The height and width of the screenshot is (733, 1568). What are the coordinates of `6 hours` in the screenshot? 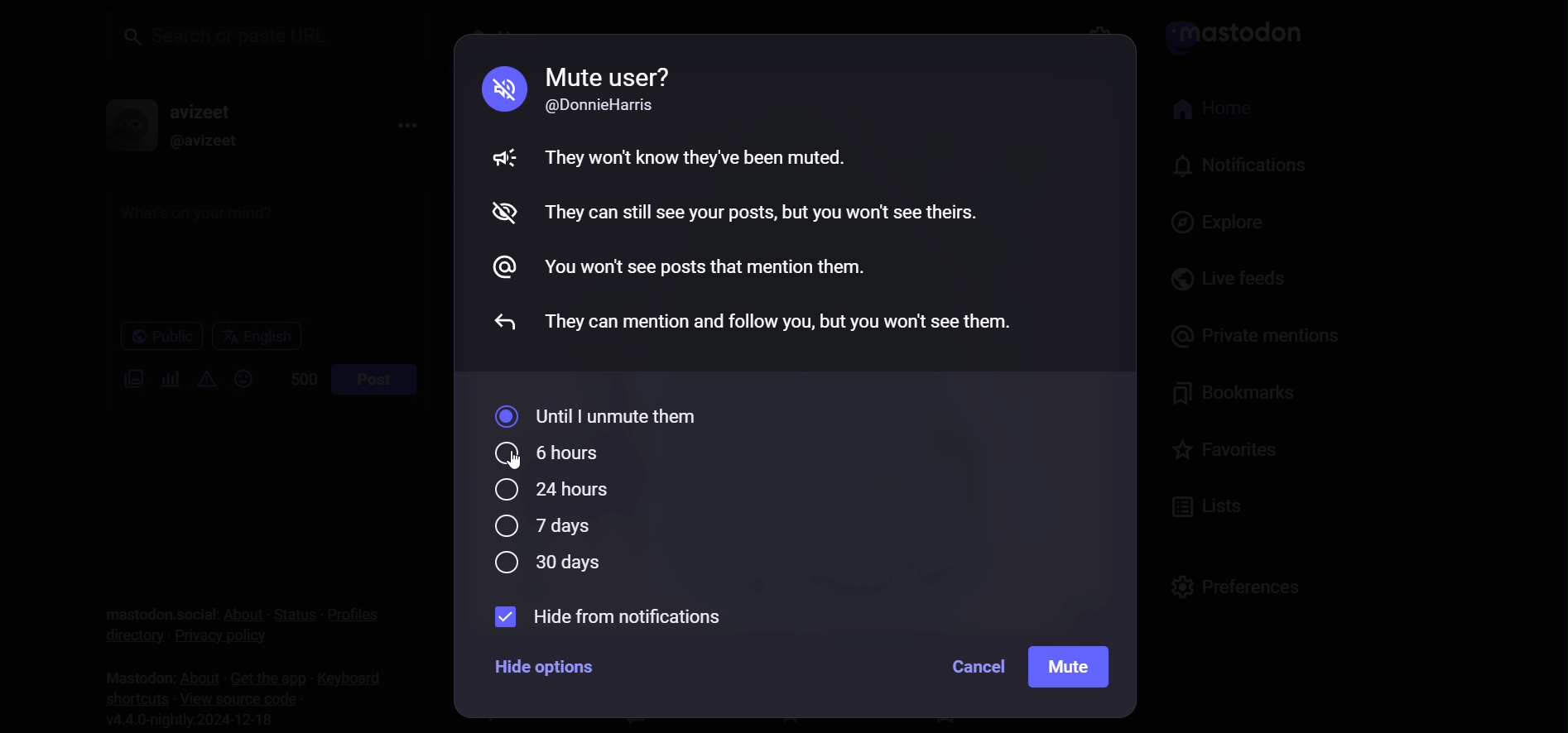 It's located at (553, 453).